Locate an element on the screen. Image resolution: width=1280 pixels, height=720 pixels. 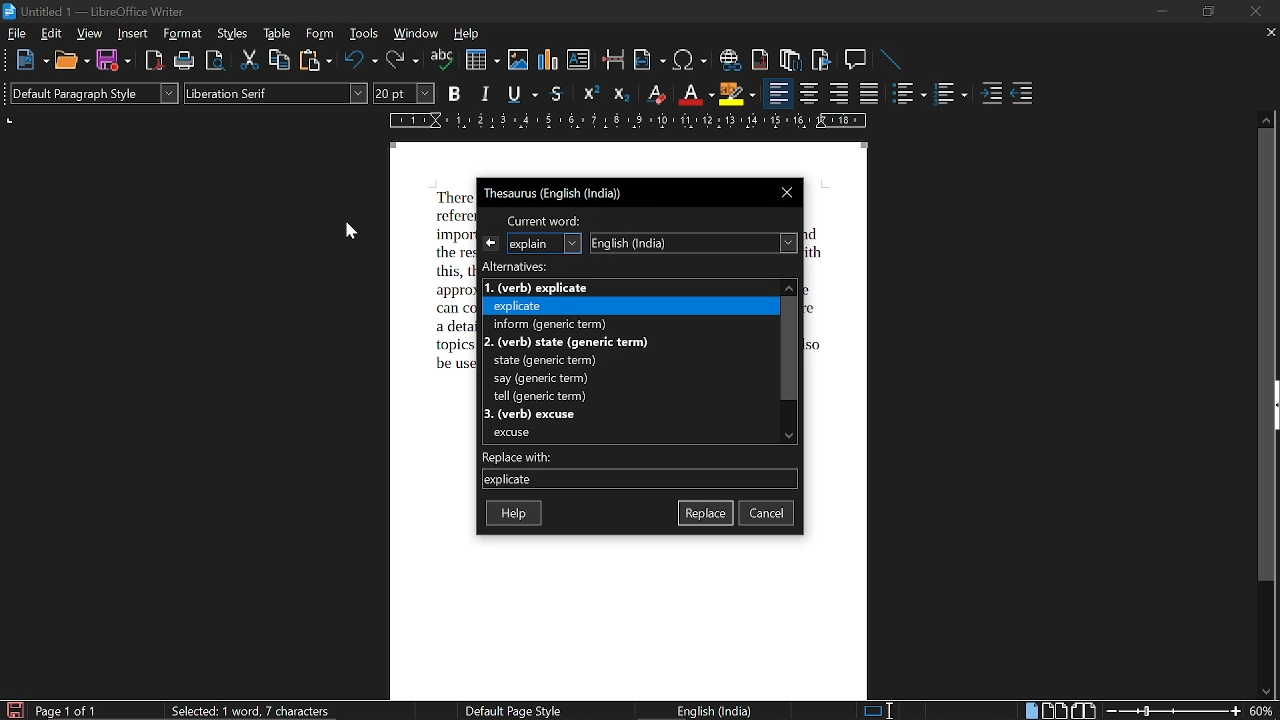
align left is located at coordinates (776, 93).